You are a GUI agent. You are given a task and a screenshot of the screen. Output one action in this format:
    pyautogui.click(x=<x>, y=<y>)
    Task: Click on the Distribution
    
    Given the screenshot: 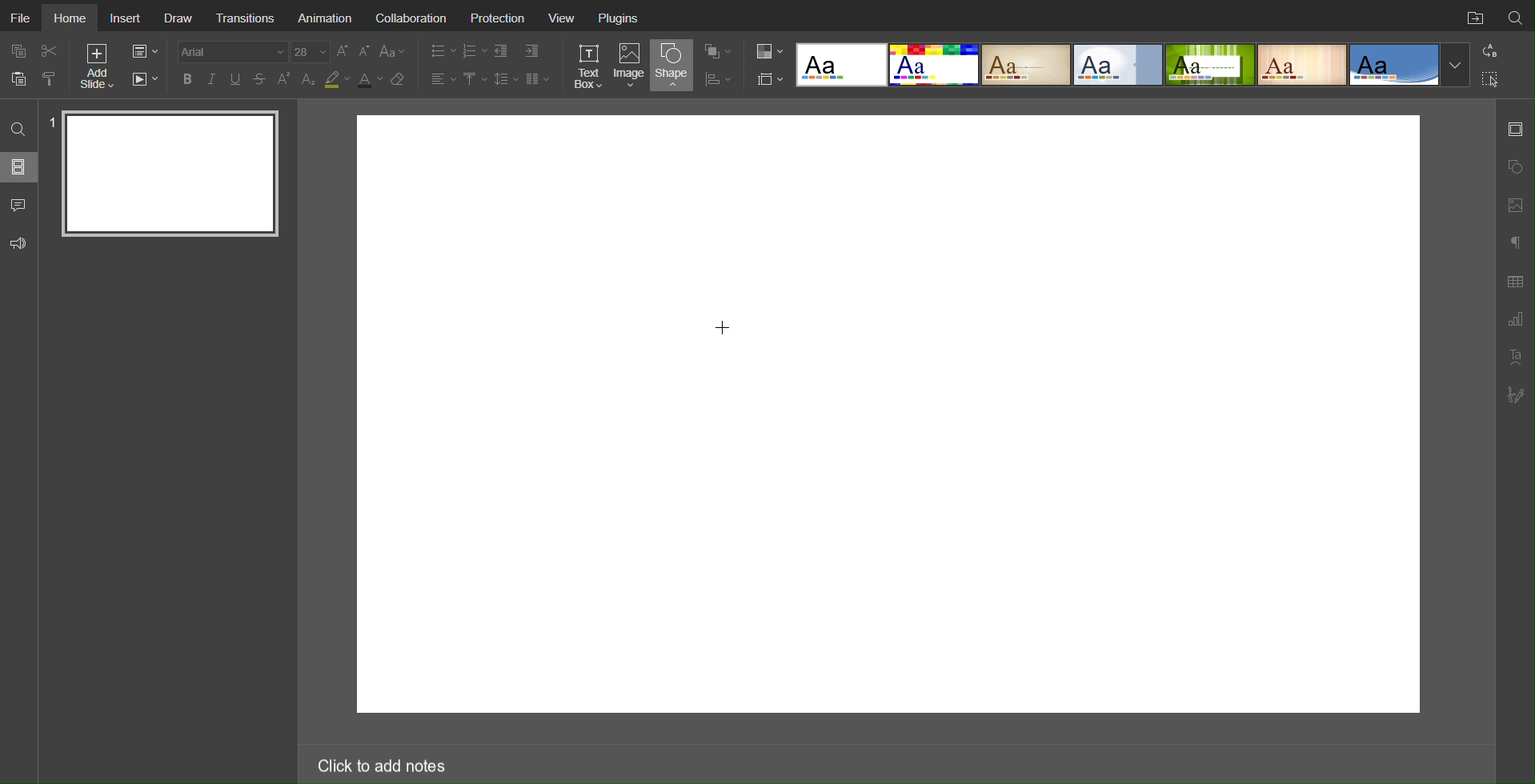 What is the action you would take?
    pyautogui.click(x=718, y=78)
    